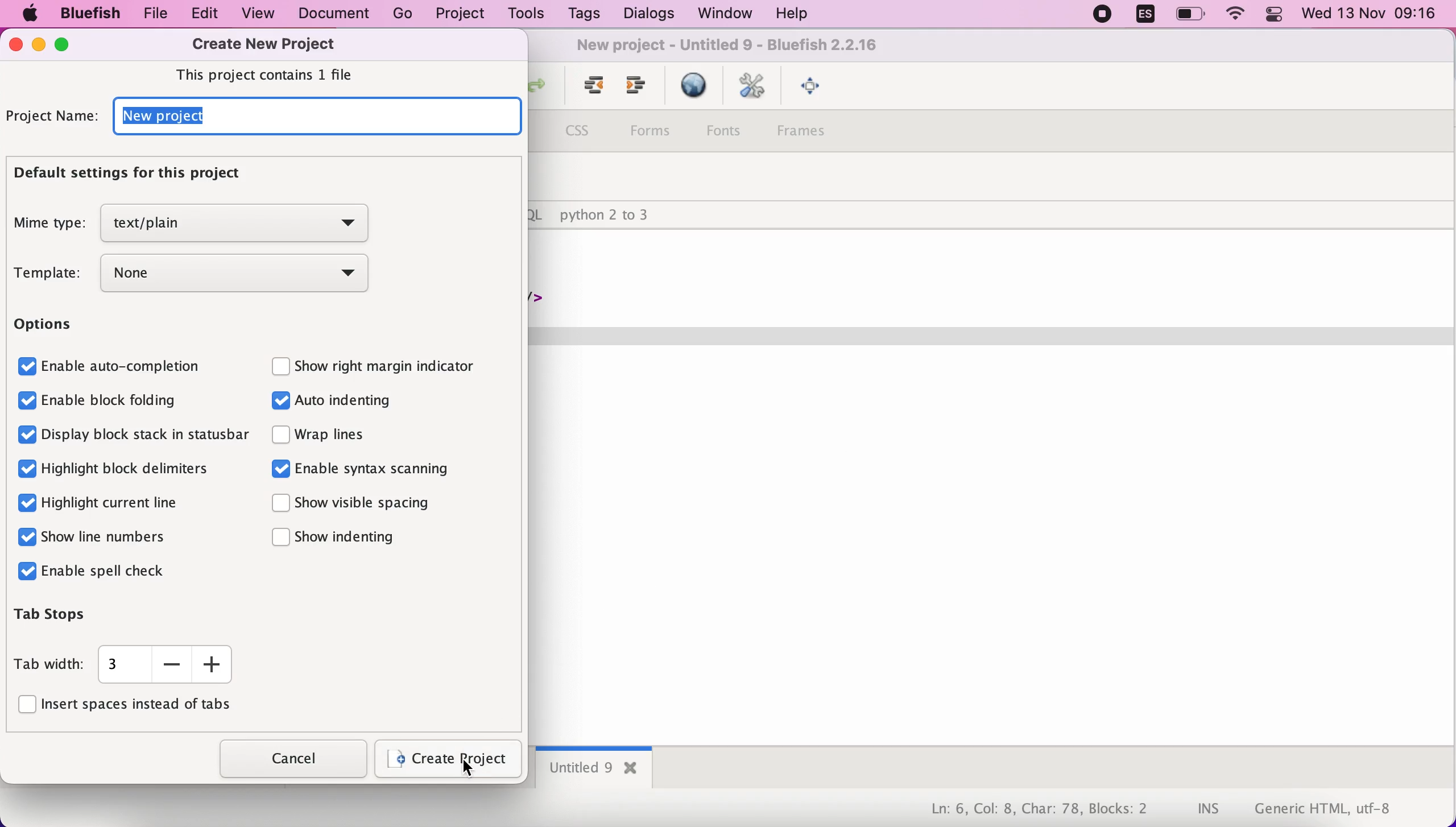 This screenshot has width=1456, height=827. I want to click on python 2 to 3, so click(615, 216).